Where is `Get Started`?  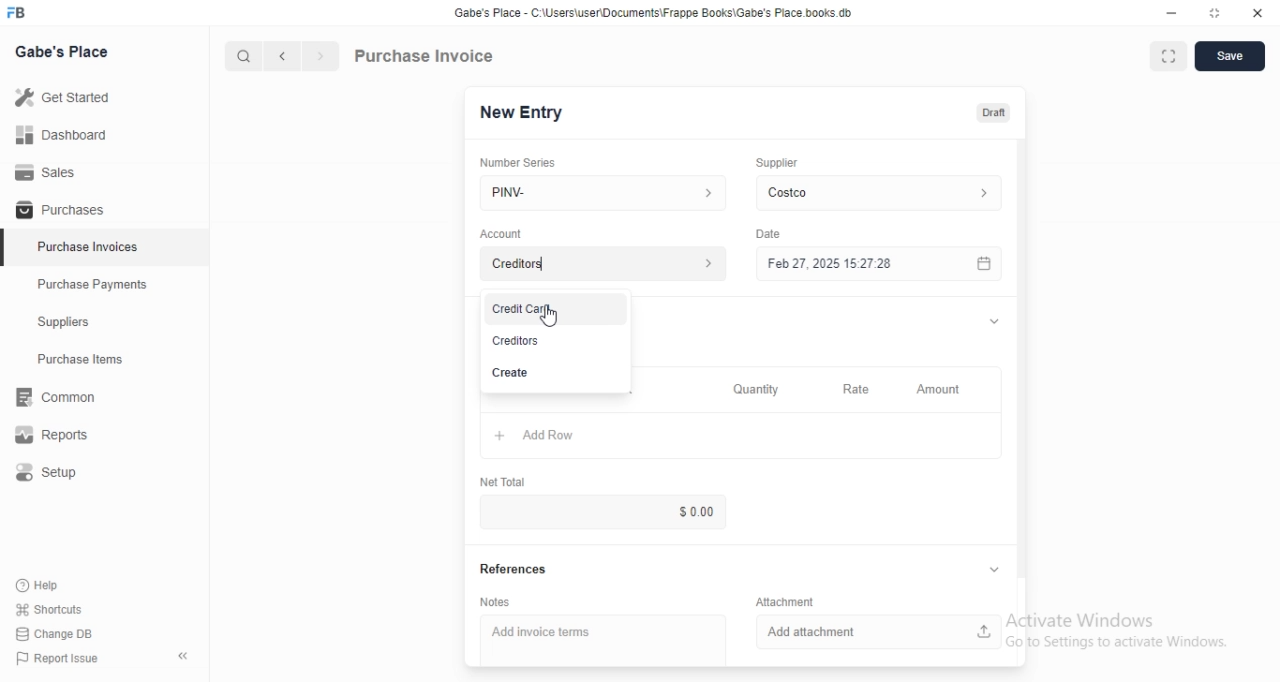 Get Started is located at coordinates (104, 97).